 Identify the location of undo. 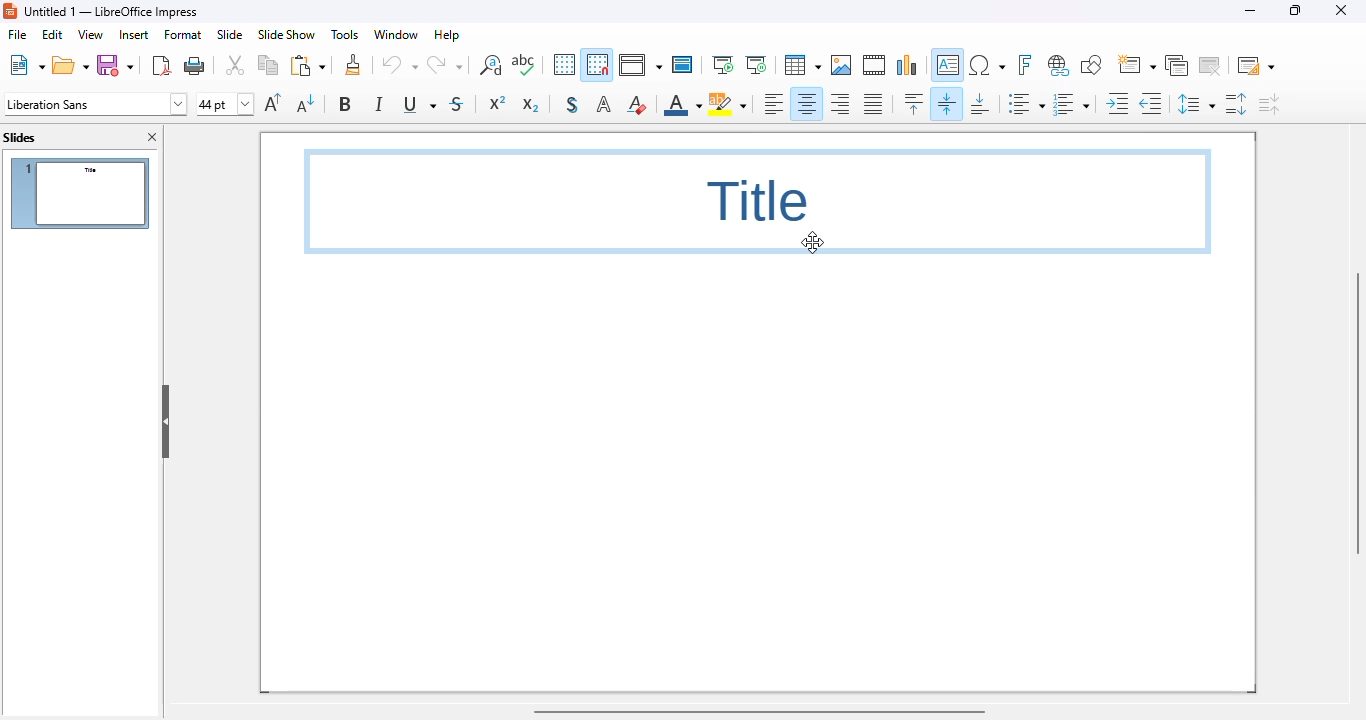
(400, 64).